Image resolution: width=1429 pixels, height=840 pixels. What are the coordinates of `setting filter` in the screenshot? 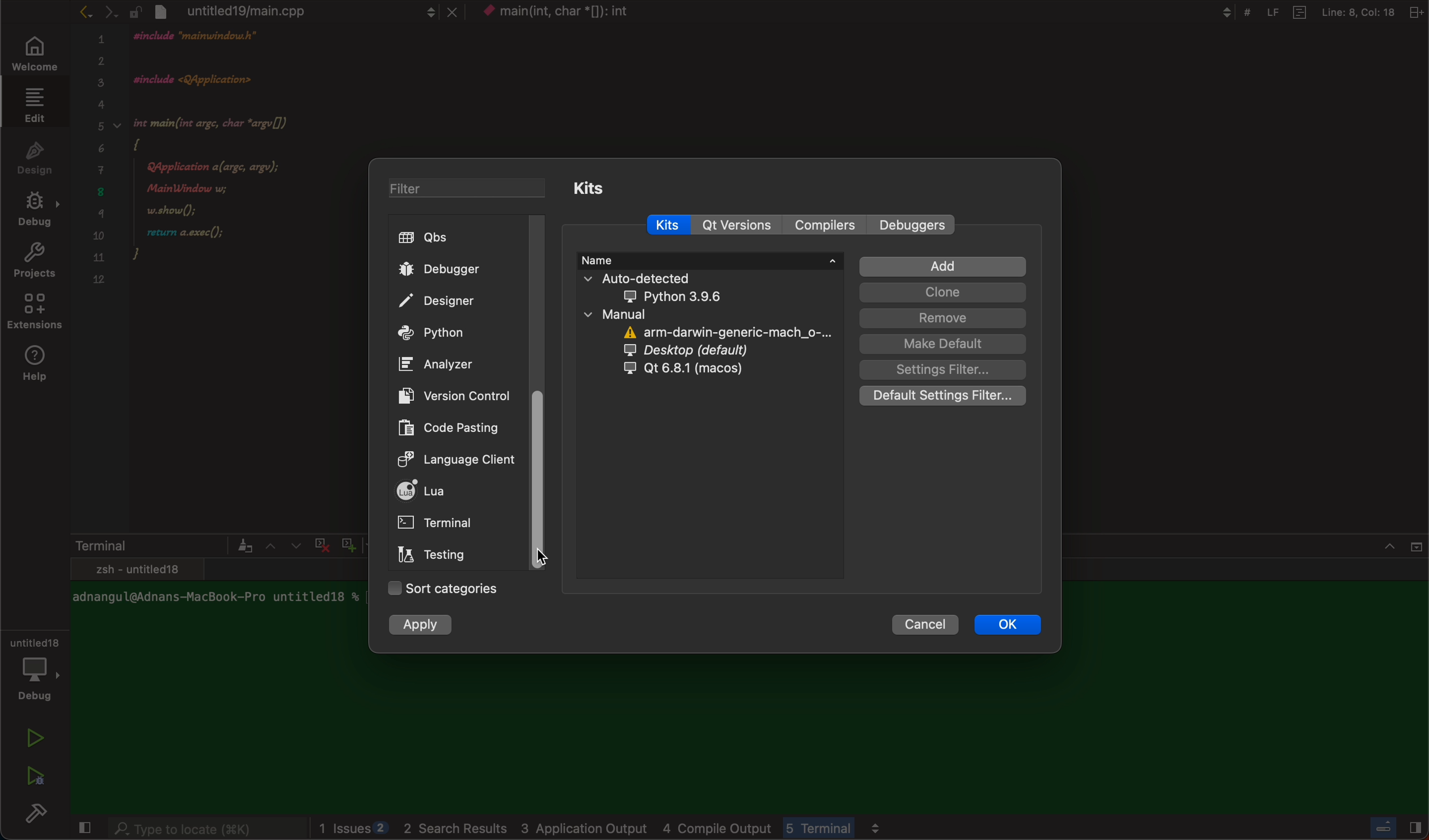 It's located at (941, 370).